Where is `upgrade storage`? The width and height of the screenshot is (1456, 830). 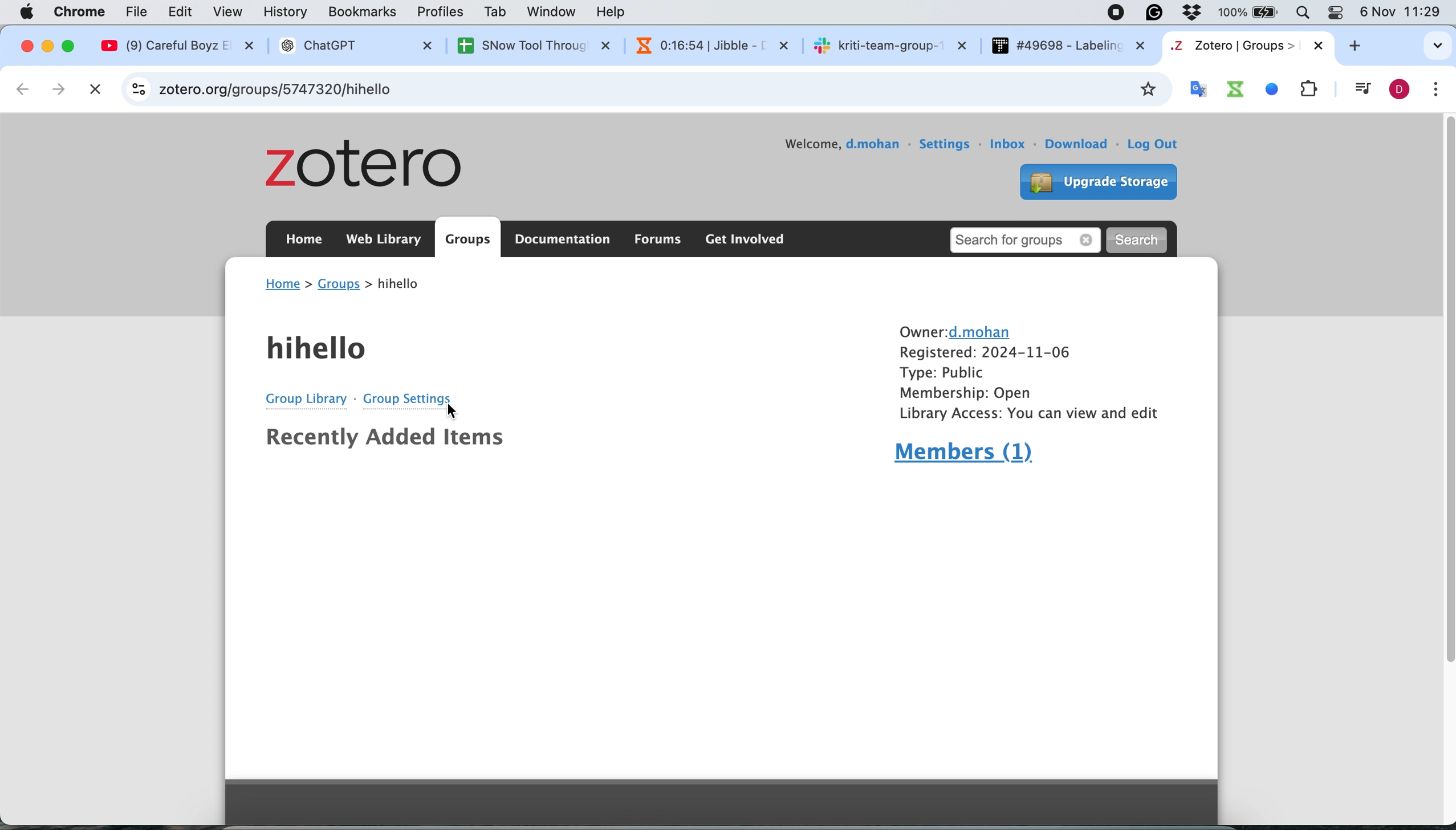
upgrade storage is located at coordinates (1092, 180).